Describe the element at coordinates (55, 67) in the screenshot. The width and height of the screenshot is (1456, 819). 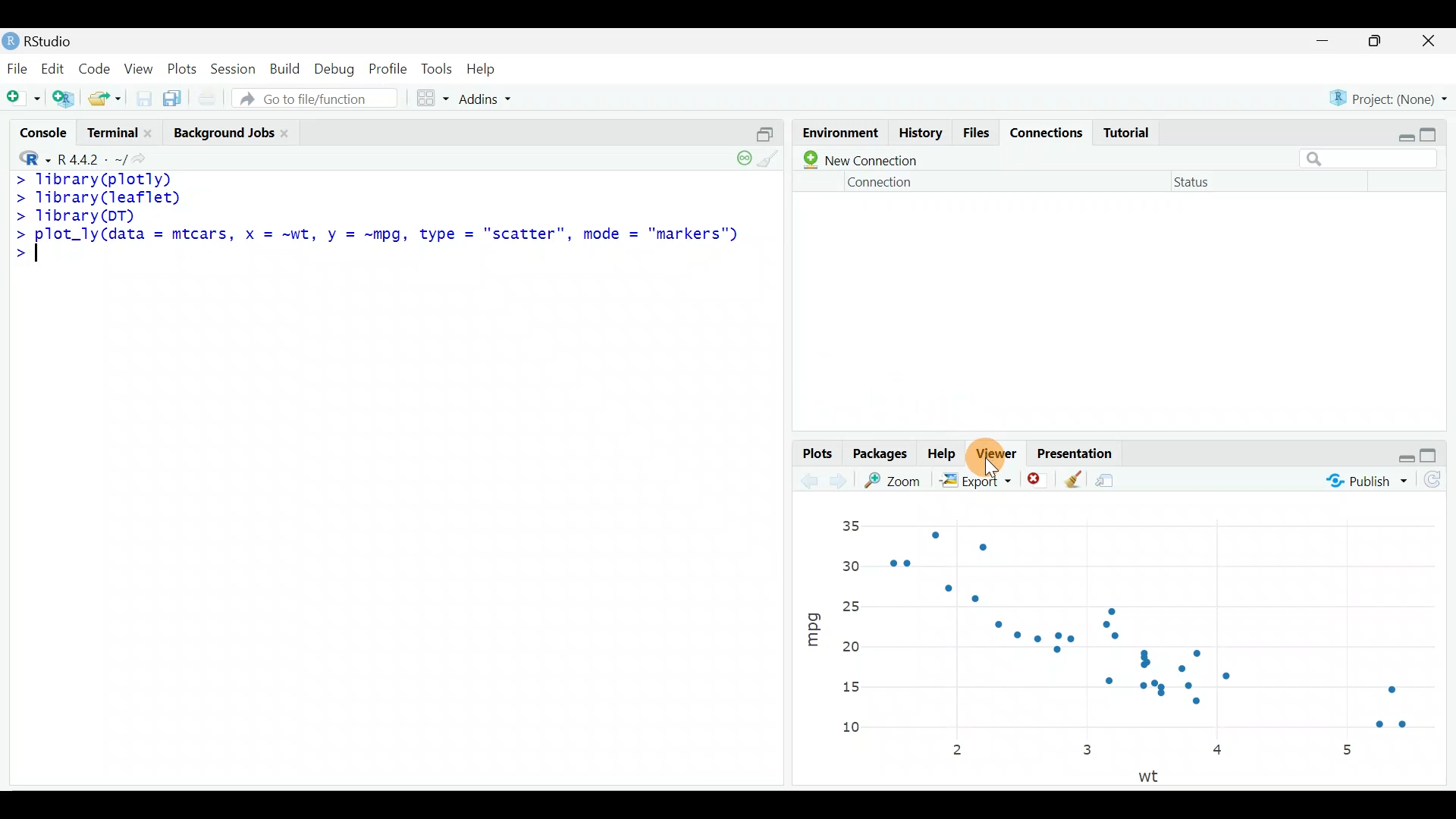
I see `Edit` at that location.